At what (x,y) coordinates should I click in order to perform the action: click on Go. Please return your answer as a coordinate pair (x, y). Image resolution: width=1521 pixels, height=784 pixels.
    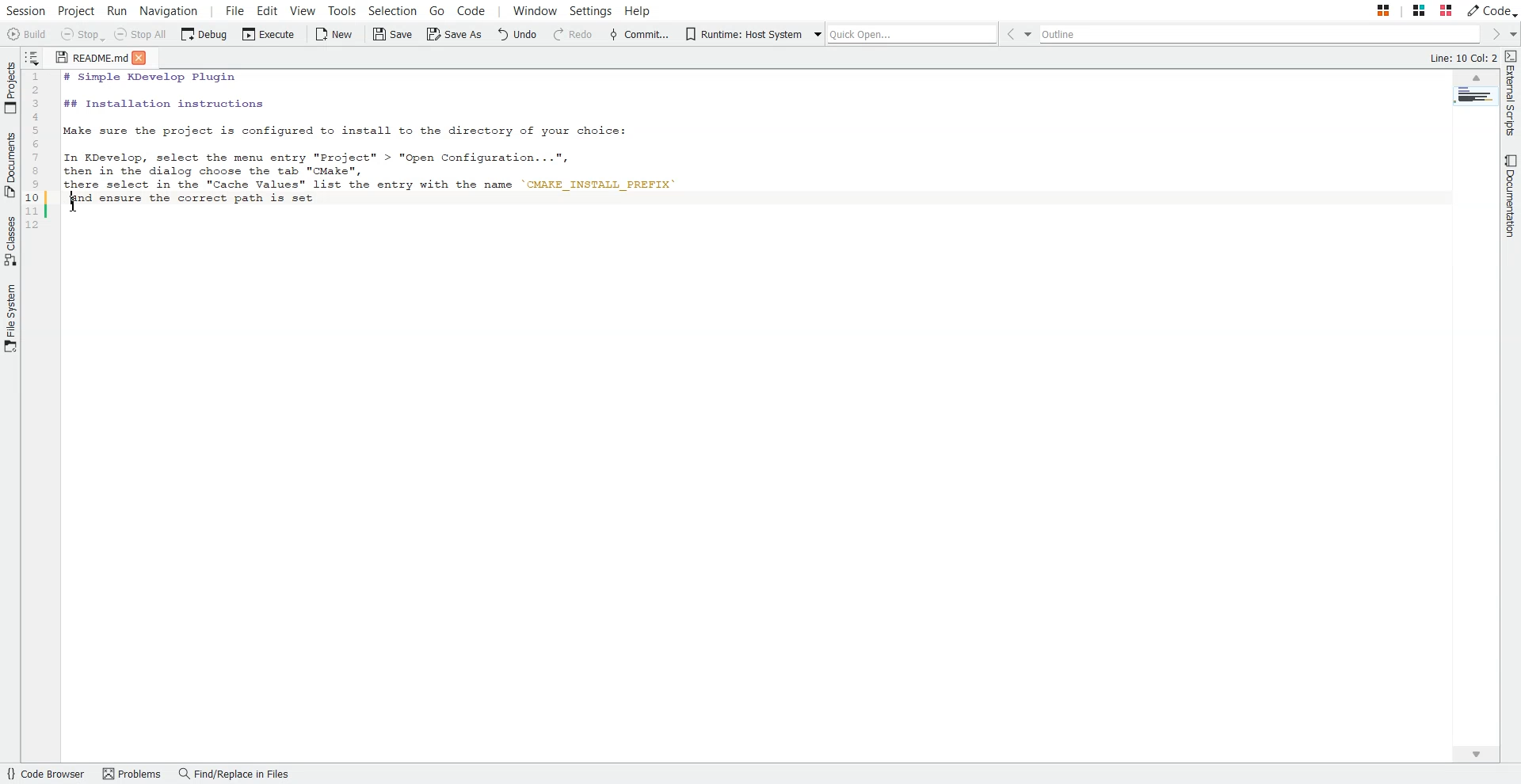
    Looking at the image, I should click on (436, 10).